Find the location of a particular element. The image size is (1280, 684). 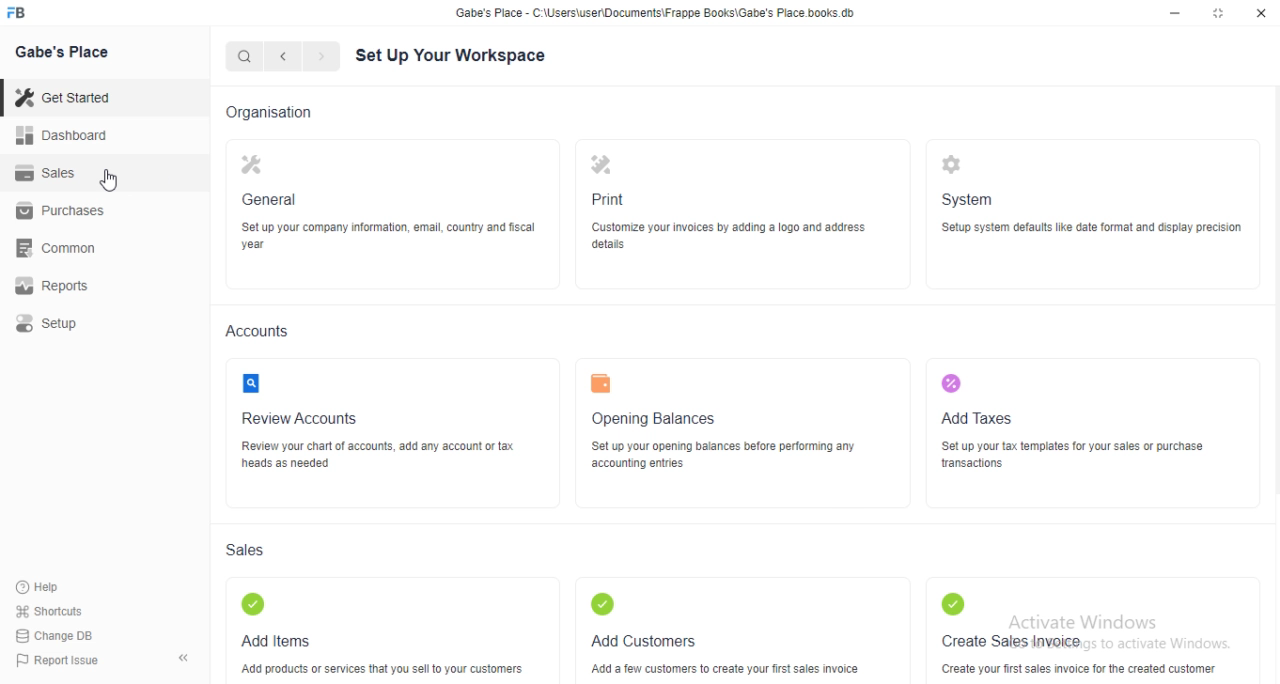

add taxes icon is located at coordinates (951, 384).